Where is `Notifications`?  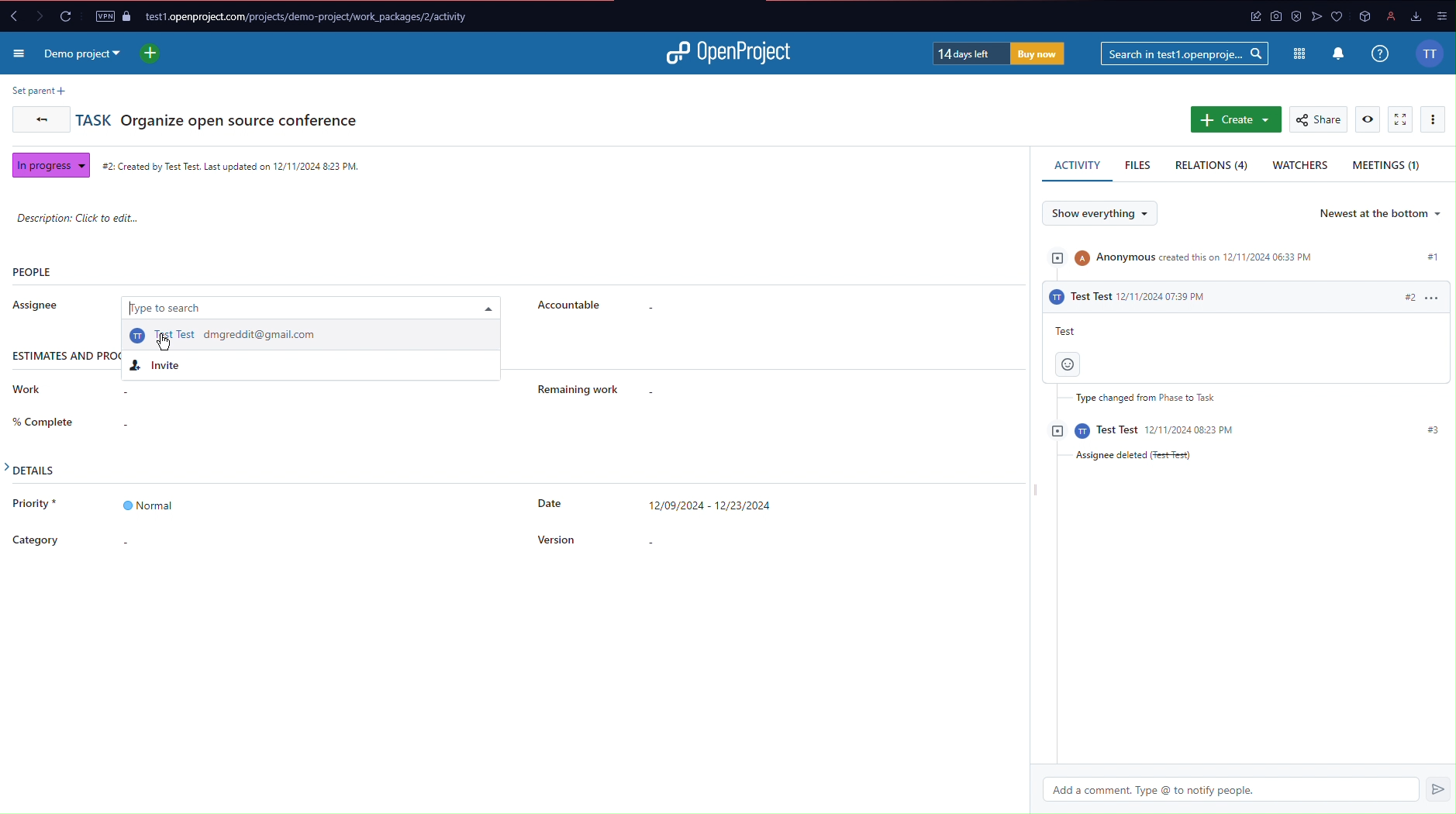
Notifications is located at coordinates (1338, 54).